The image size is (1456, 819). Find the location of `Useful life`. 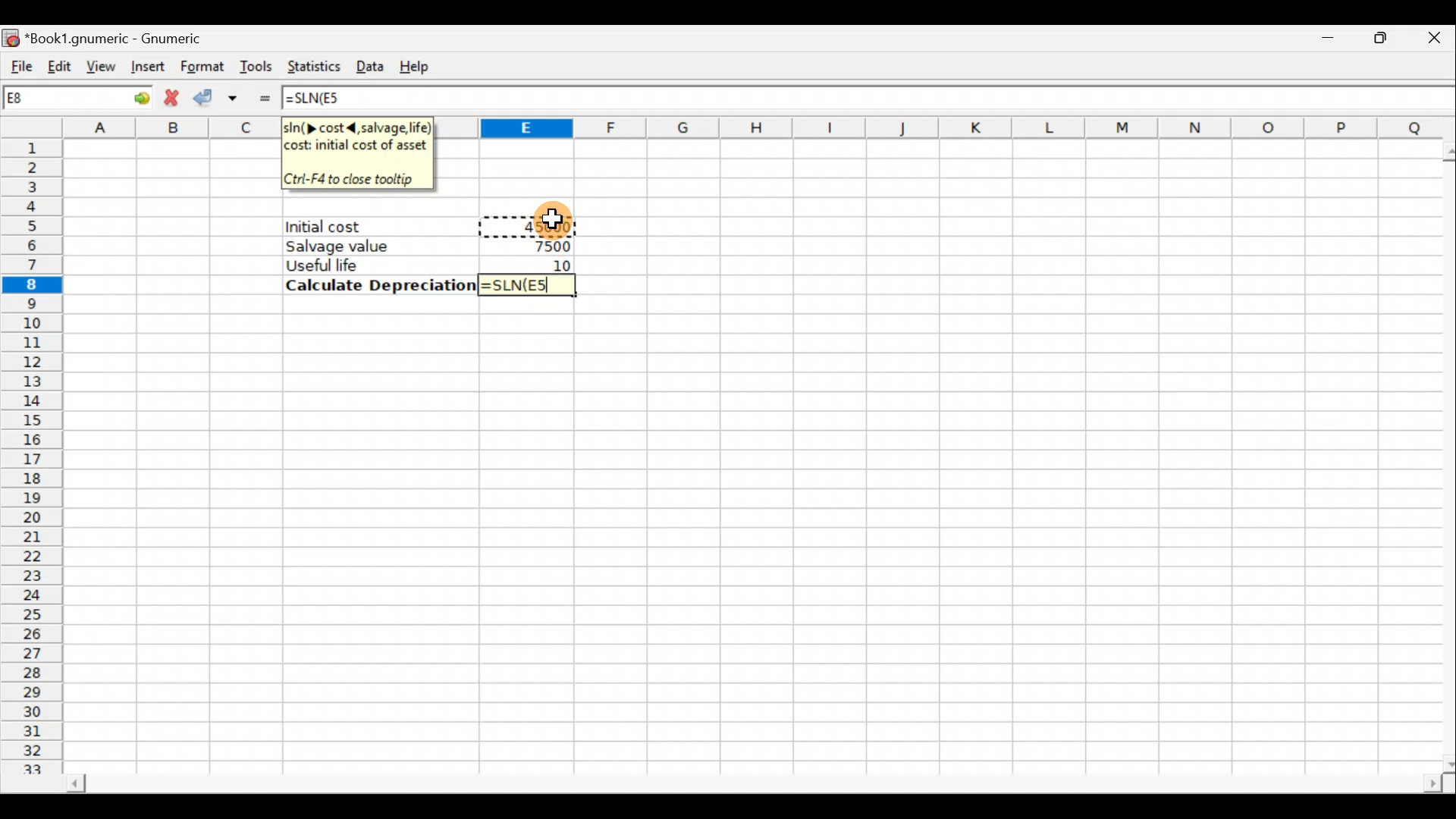

Useful life is located at coordinates (372, 265).